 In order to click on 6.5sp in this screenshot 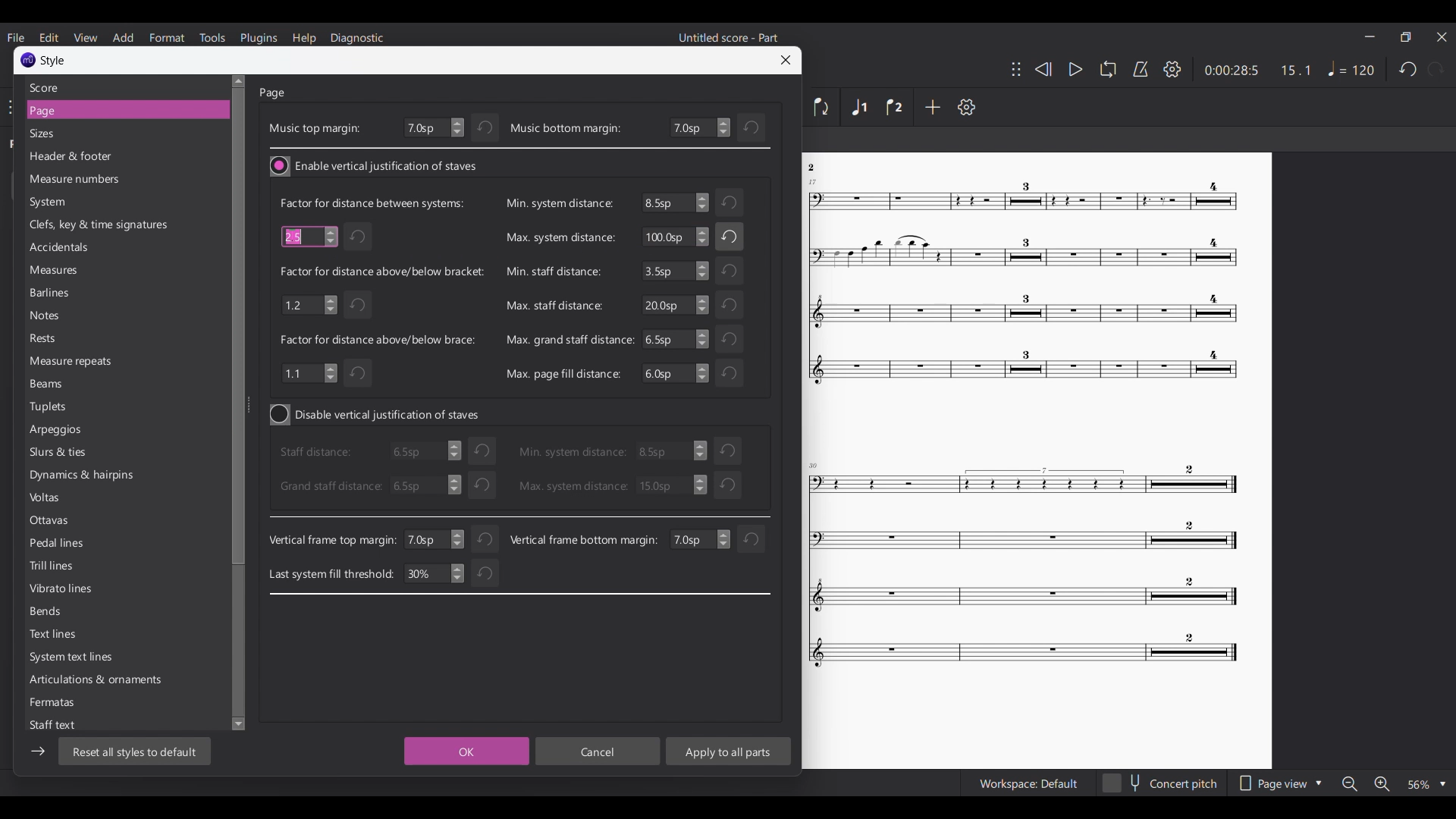, I will do `click(421, 453)`.